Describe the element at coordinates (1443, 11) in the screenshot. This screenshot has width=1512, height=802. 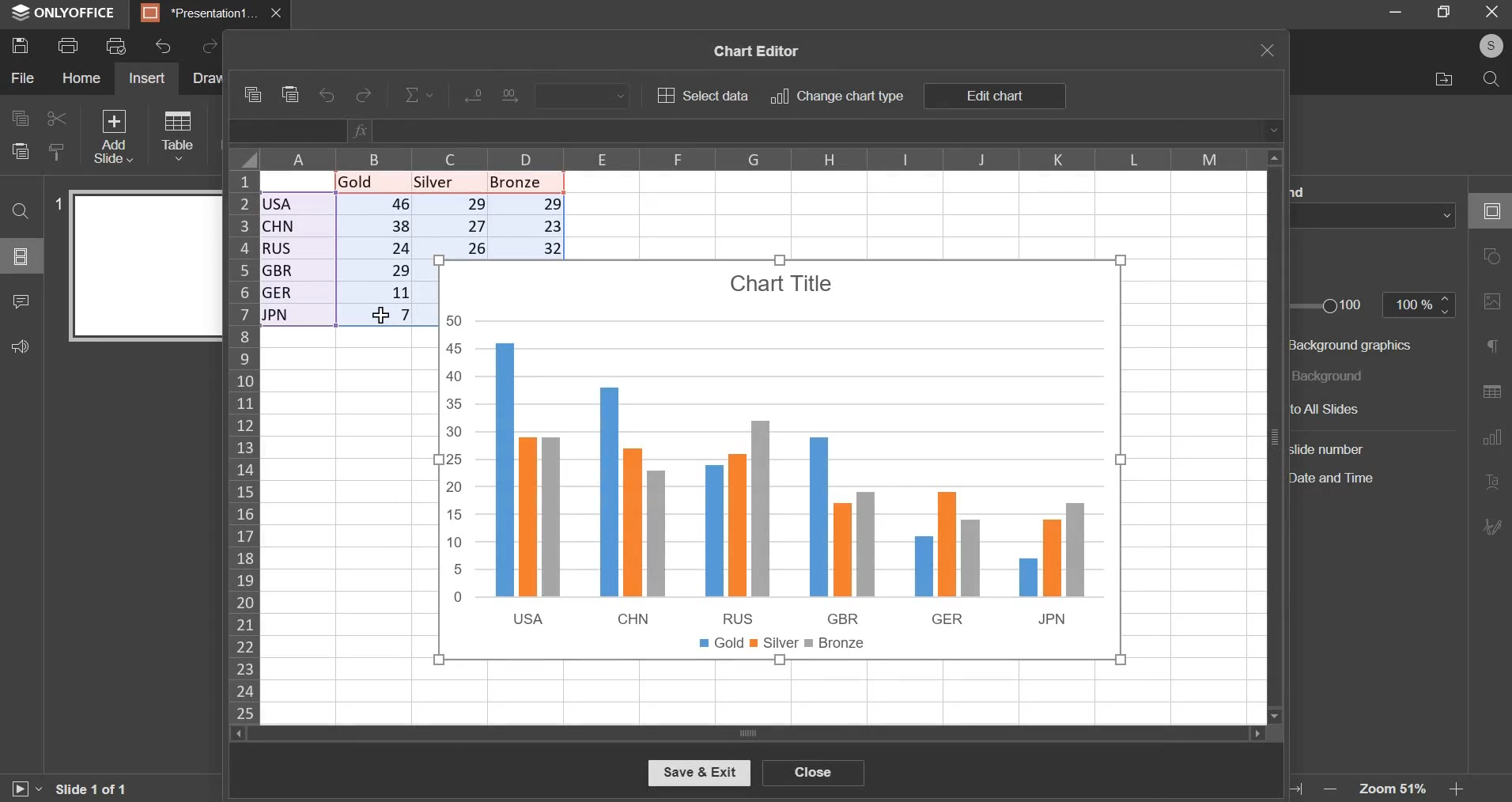
I see `full screen` at that location.